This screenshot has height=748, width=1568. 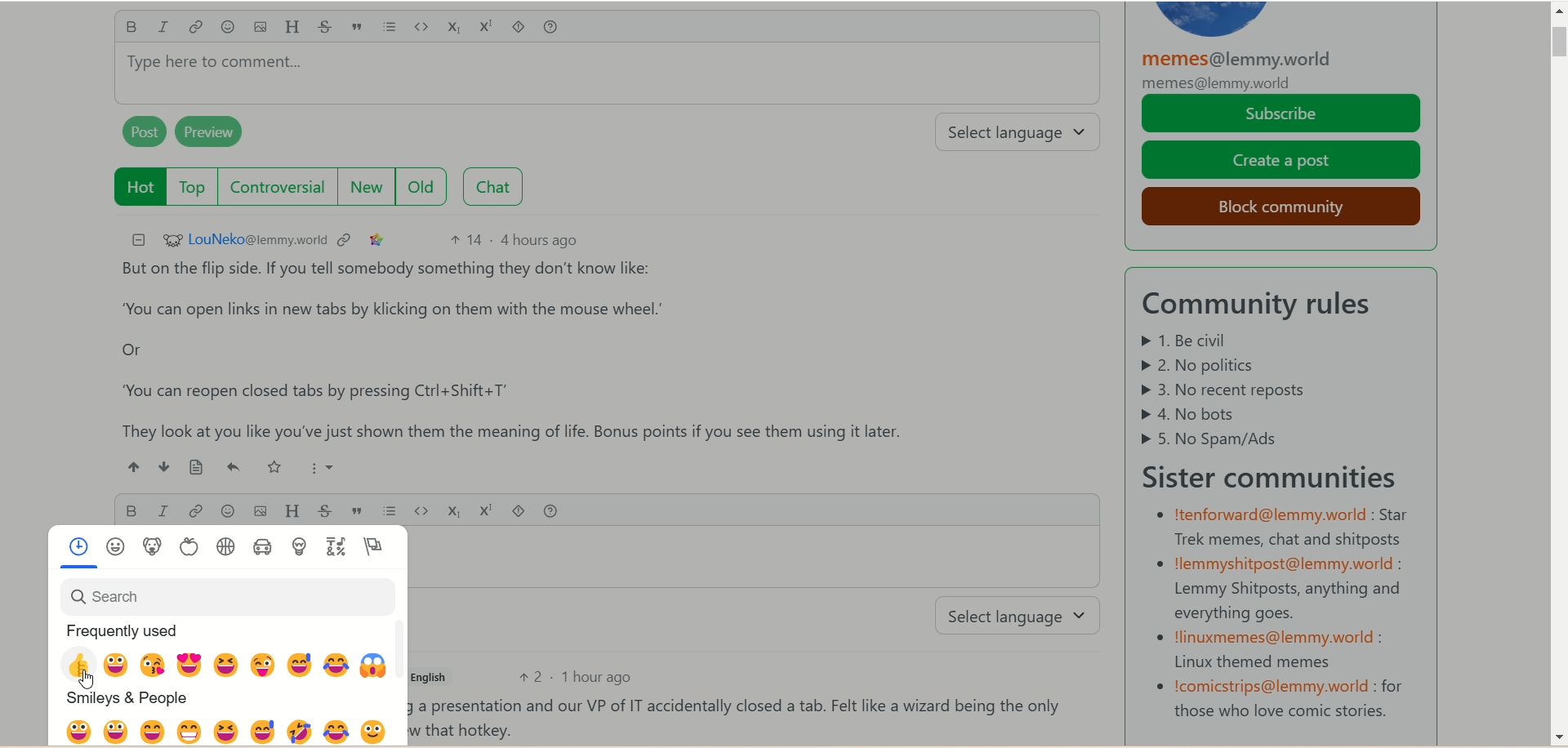 What do you see at coordinates (229, 636) in the screenshot?
I see `emojis ` at bounding box center [229, 636].